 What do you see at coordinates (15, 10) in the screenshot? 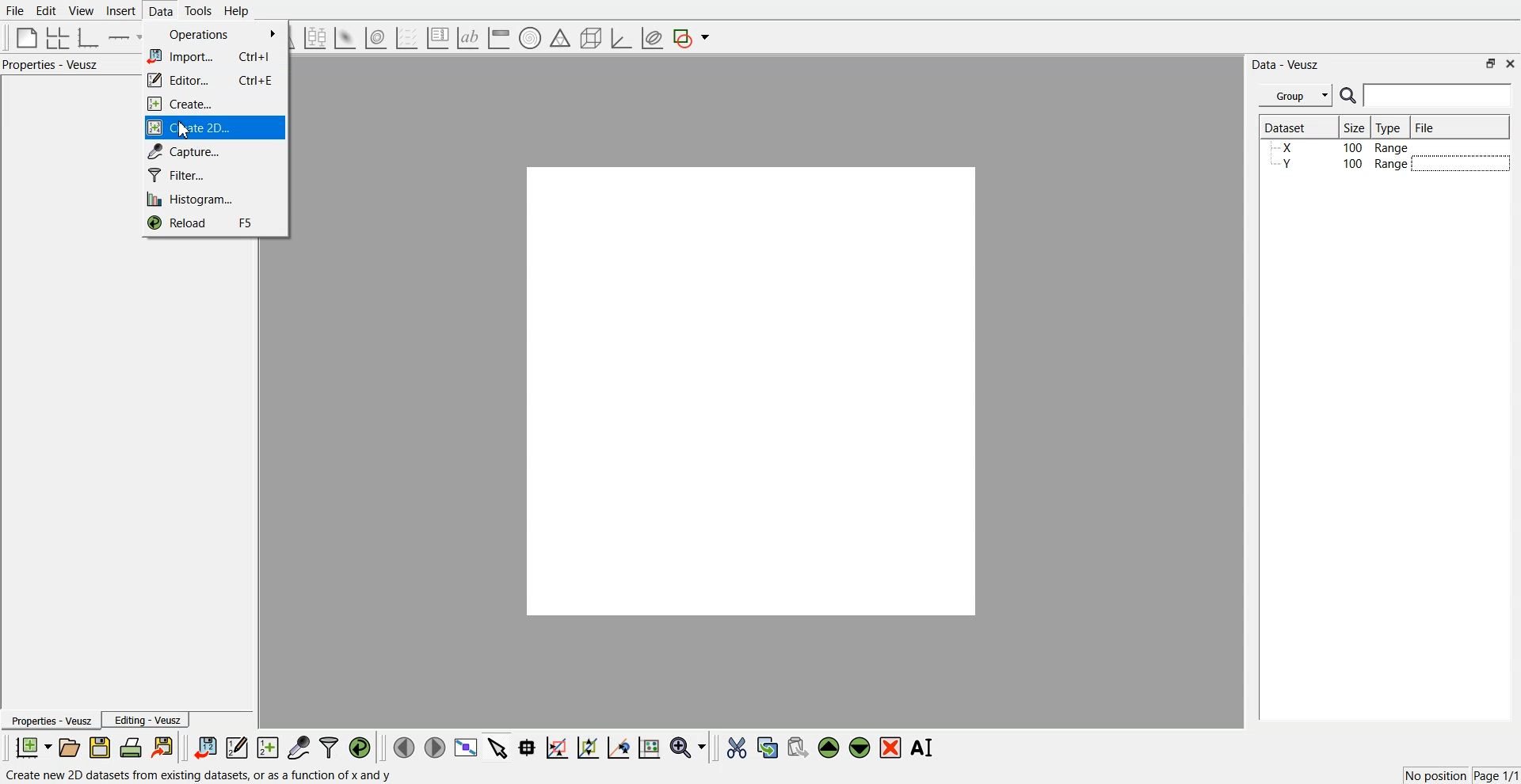
I see `File` at bounding box center [15, 10].